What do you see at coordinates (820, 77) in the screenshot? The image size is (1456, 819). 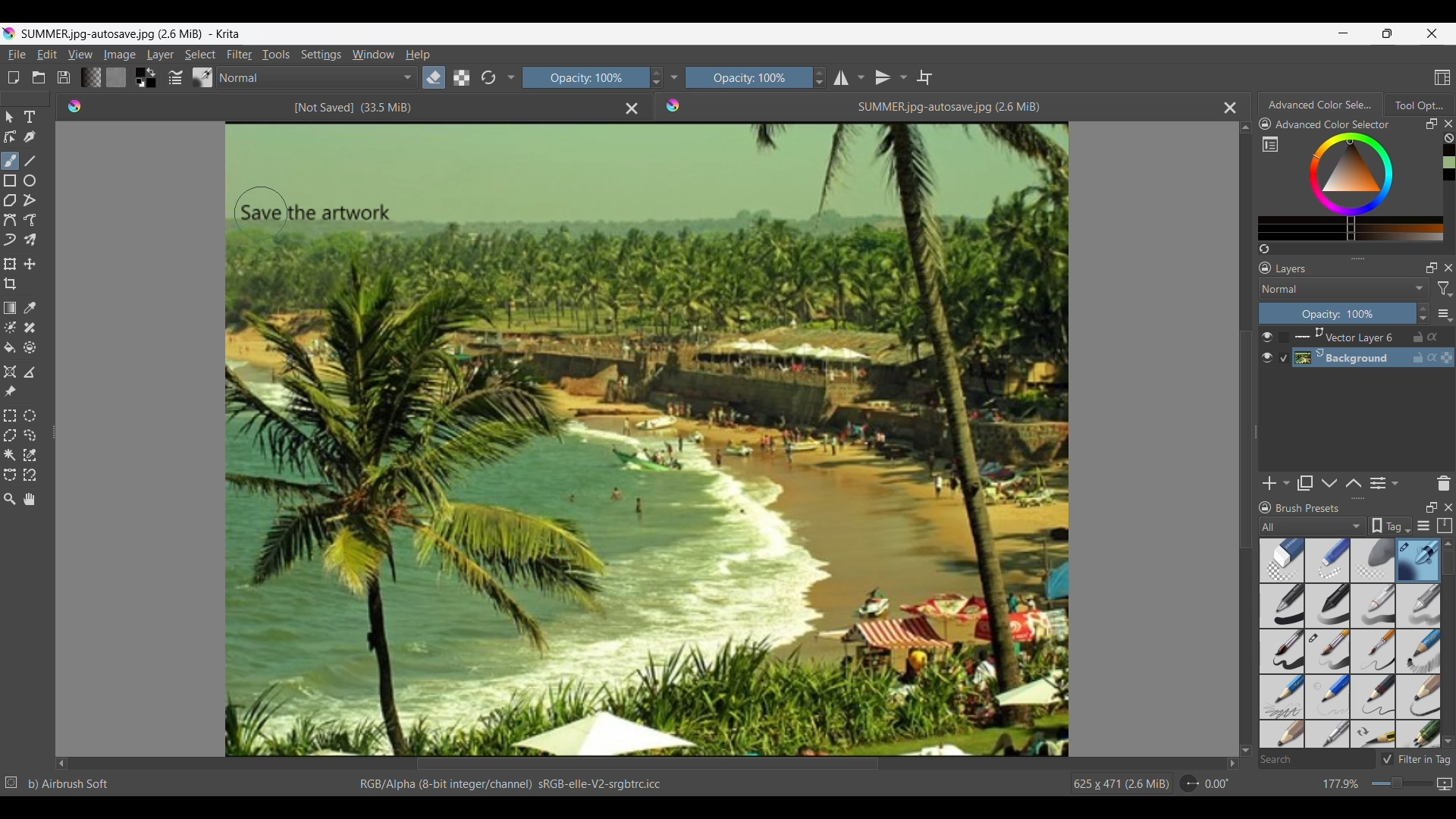 I see `Increase/Decrease opacity` at bounding box center [820, 77].